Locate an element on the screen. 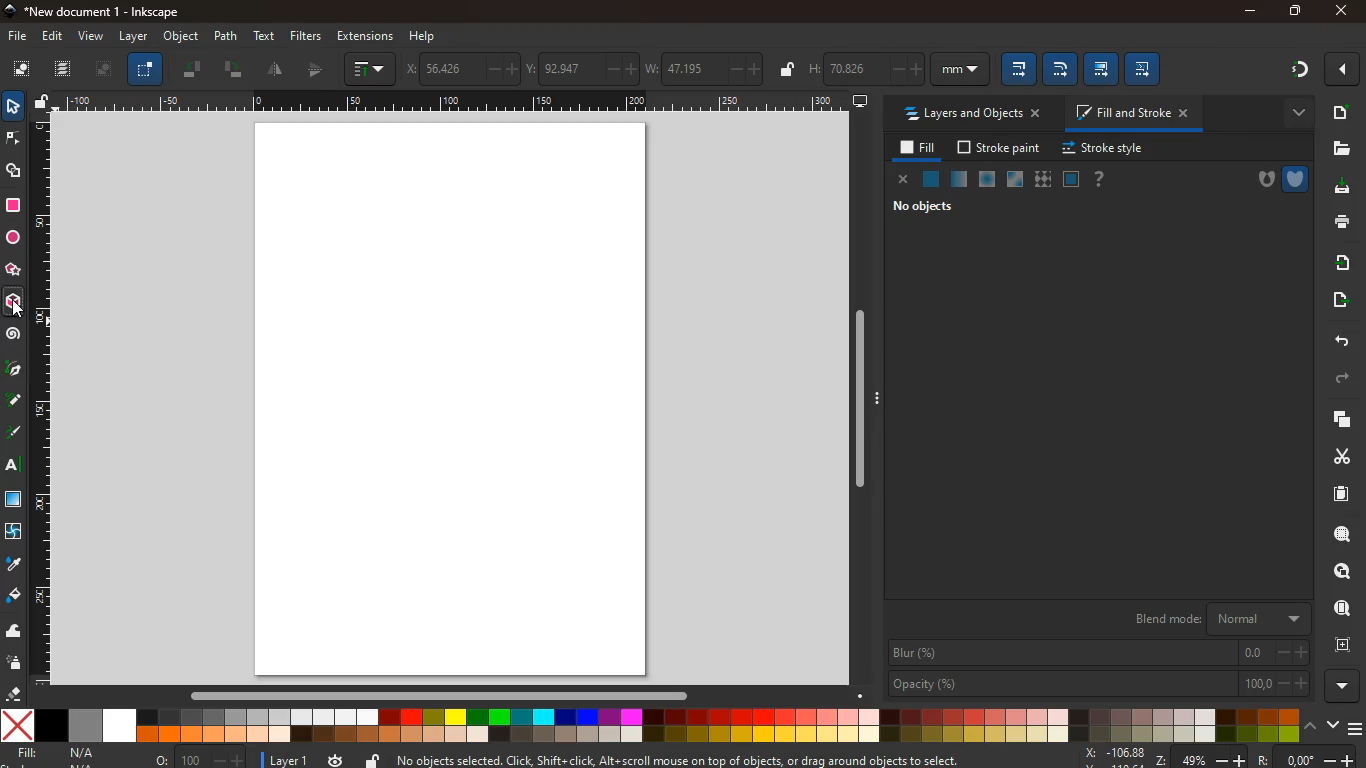 Image resolution: width=1366 pixels, height=768 pixels. tilt is located at coordinates (234, 71).